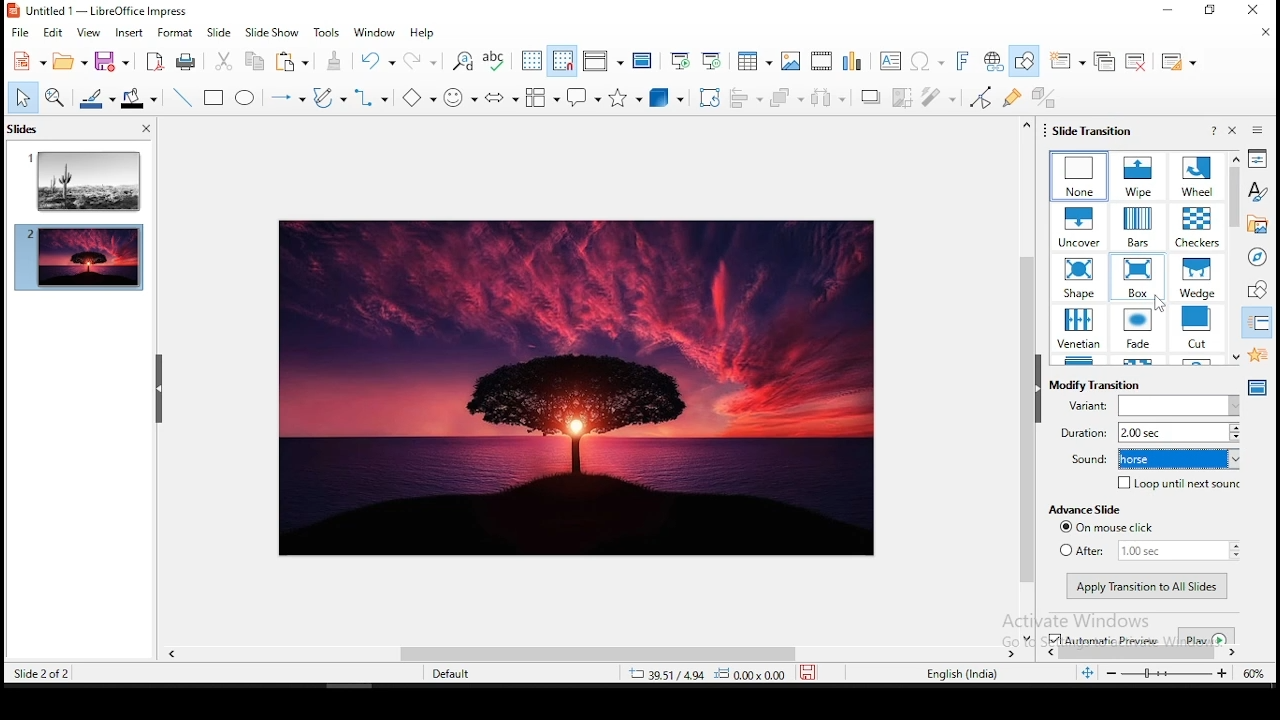 This screenshot has width=1280, height=720. What do you see at coordinates (1179, 484) in the screenshot?
I see `loop until next sound on/off` at bounding box center [1179, 484].